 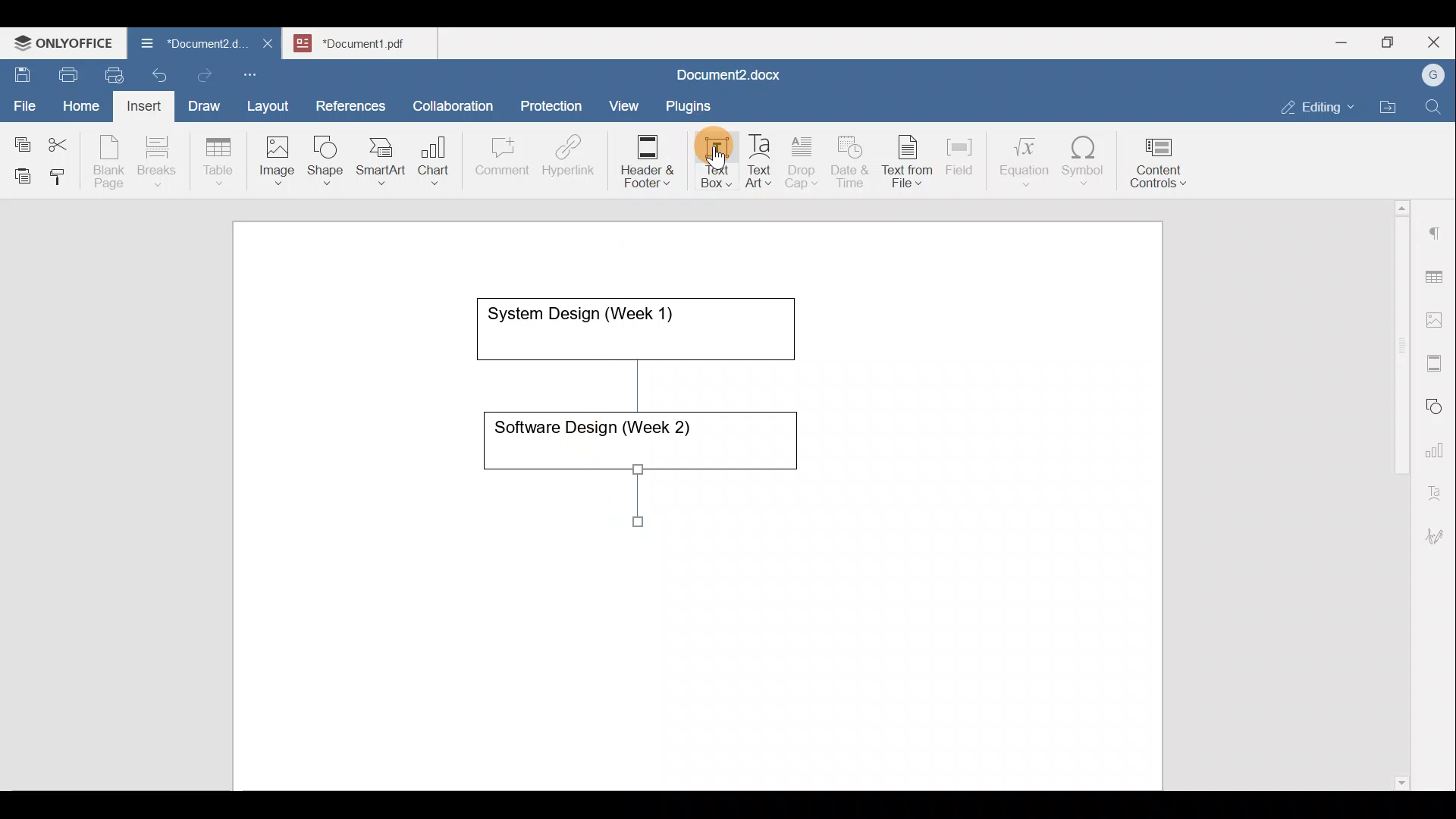 What do you see at coordinates (642, 160) in the screenshot?
I see `Header & footer` at bounding box center [642, 160].